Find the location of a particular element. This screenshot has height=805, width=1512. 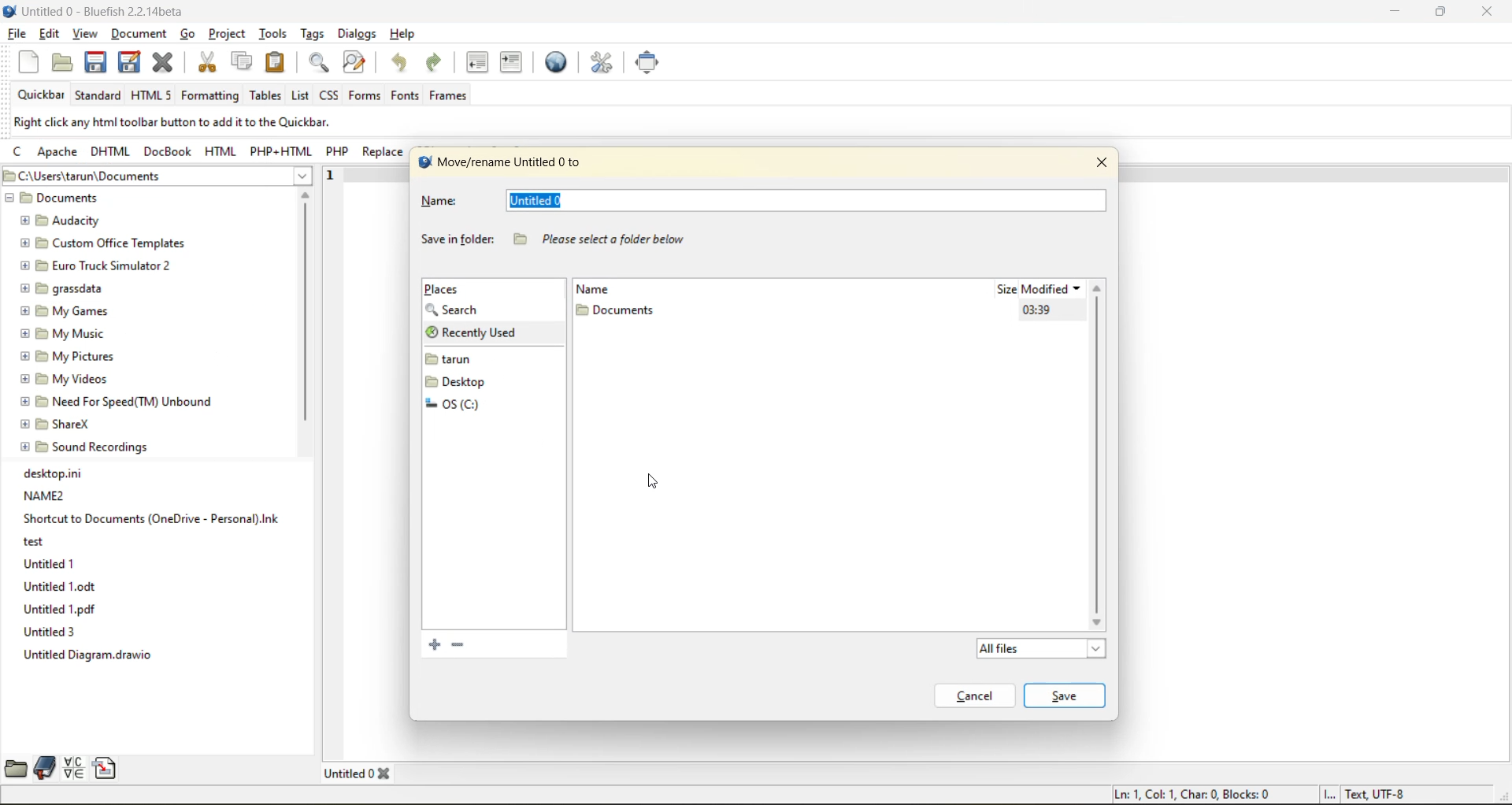

name is located at coordinates (603, 288).